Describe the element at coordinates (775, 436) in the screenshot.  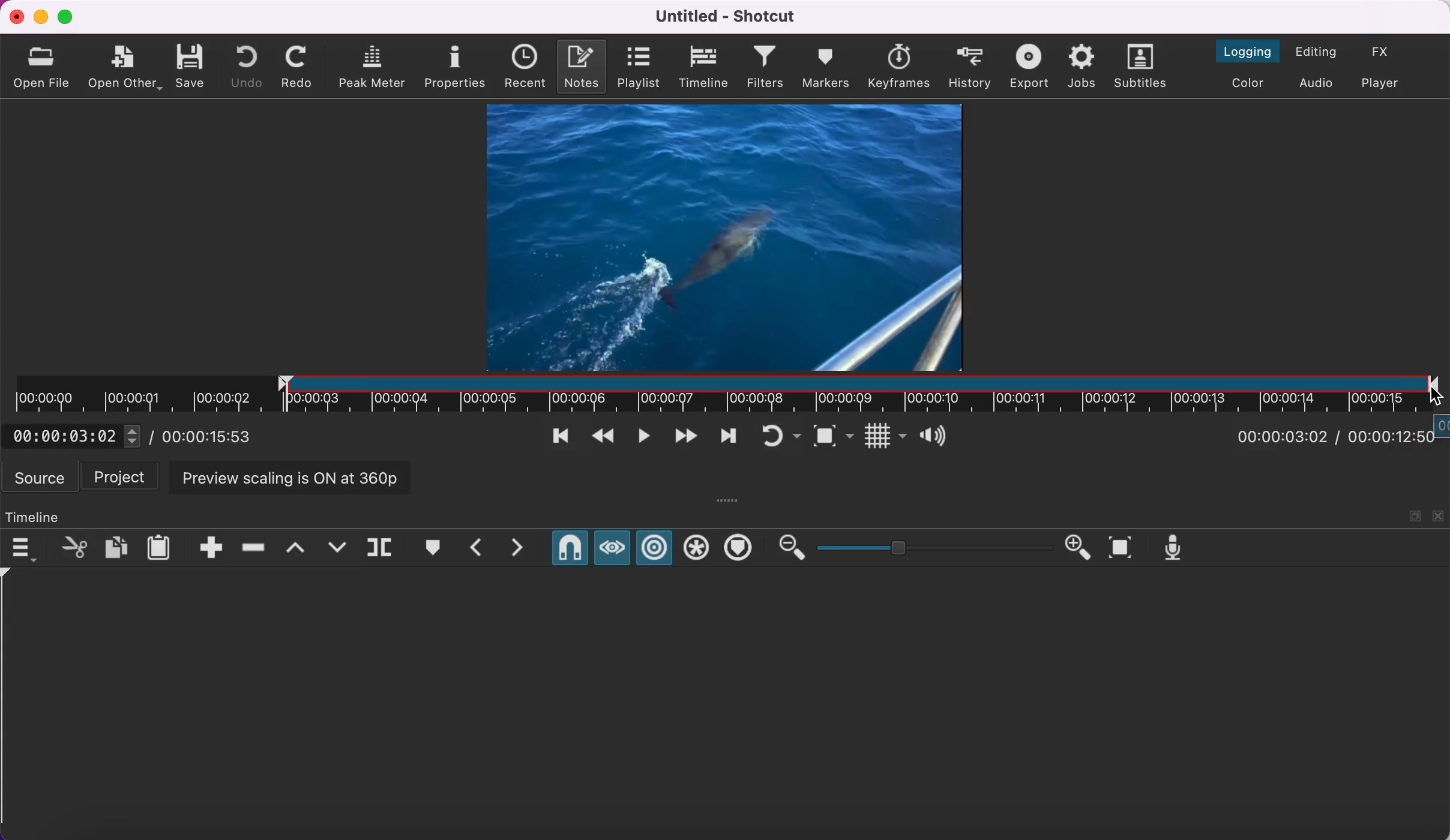
I see `` at that location.